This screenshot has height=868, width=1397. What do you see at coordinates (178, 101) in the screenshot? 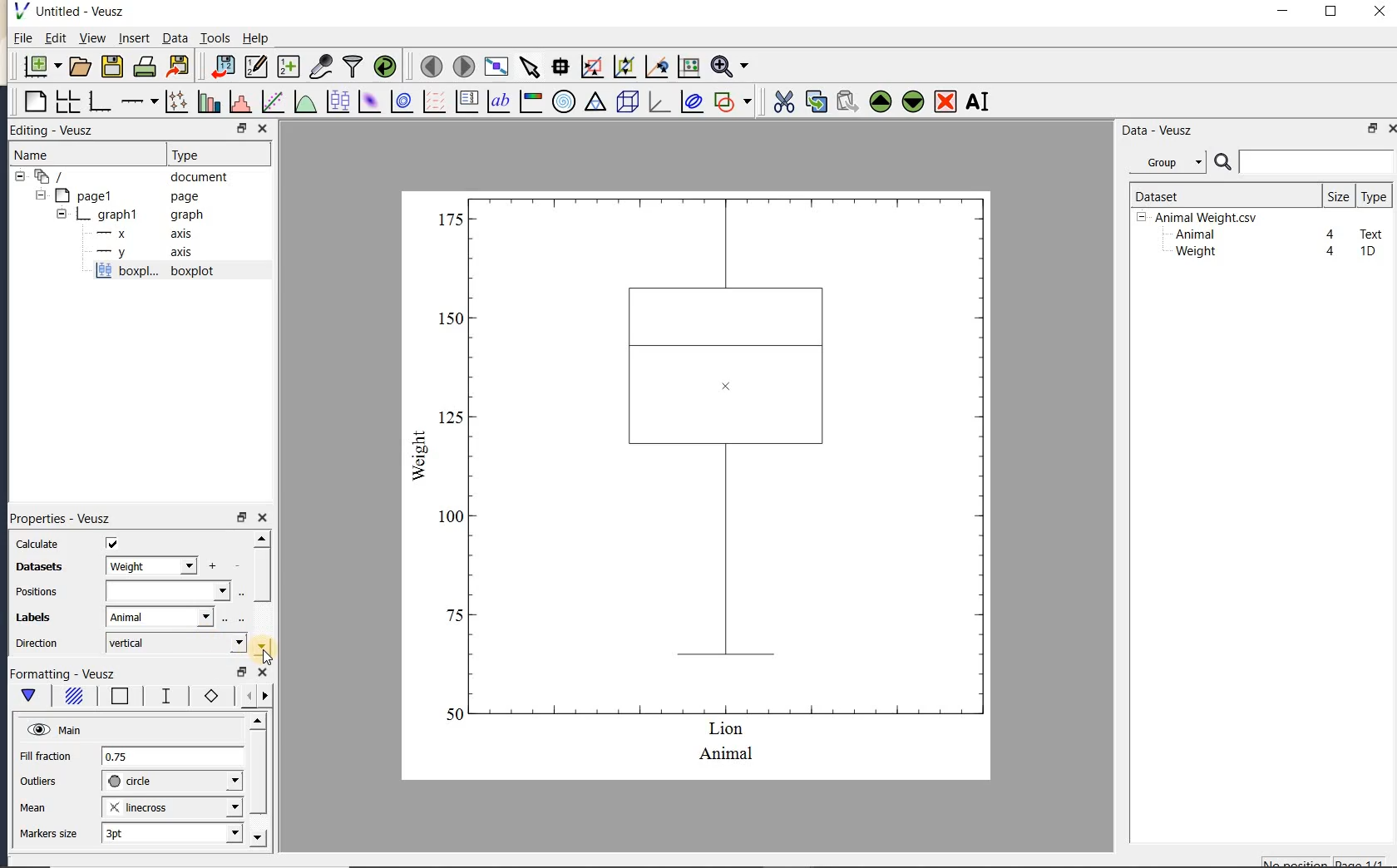
I see `plot points with lines and errorbars` at bounding box center [178, 101].